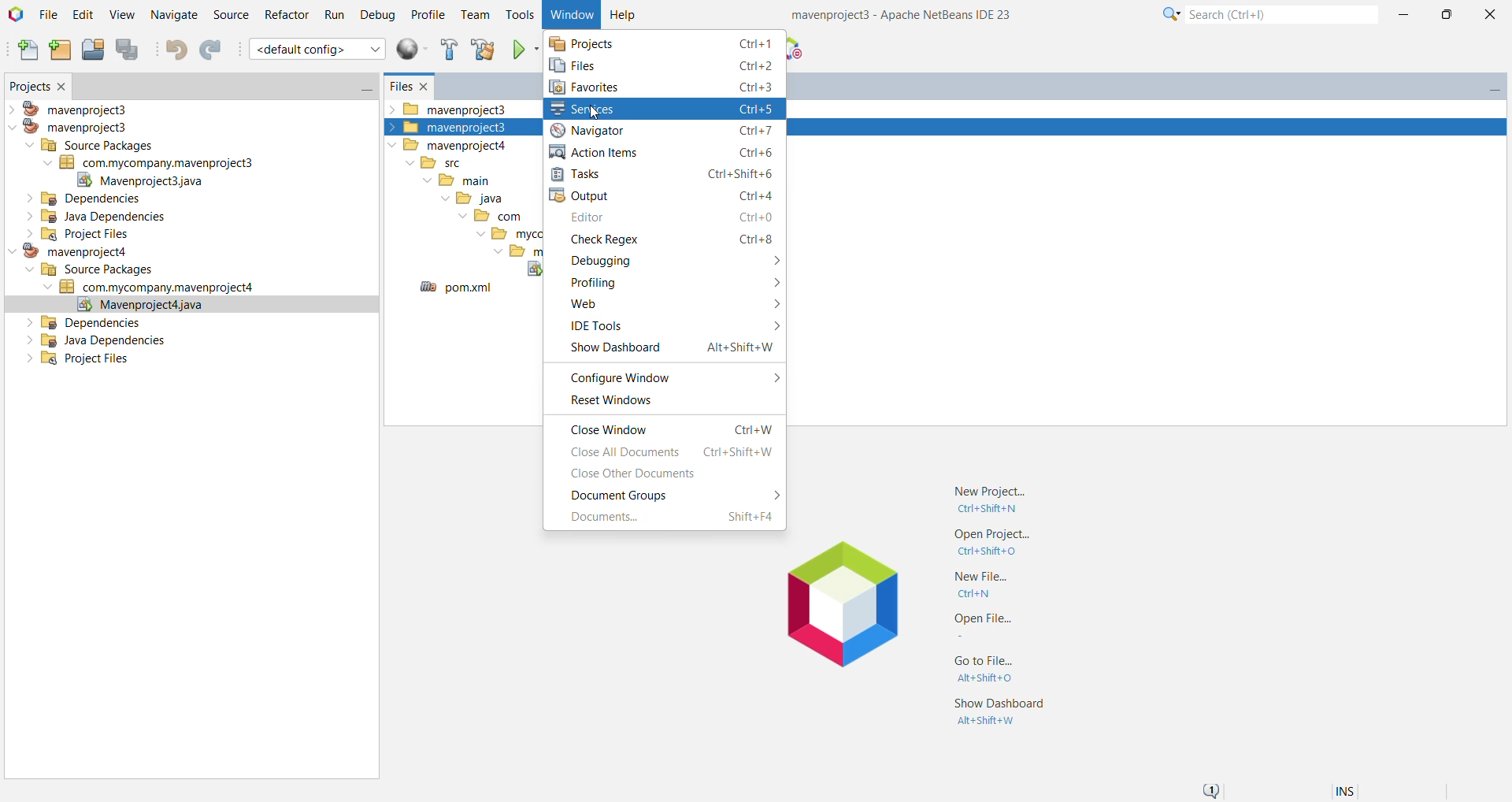 This screenshot has width=1512, height=802. What do you see at coordinates (663, 132) in the screenshot?
I see `Navigator` at bounding box center [663, 132].